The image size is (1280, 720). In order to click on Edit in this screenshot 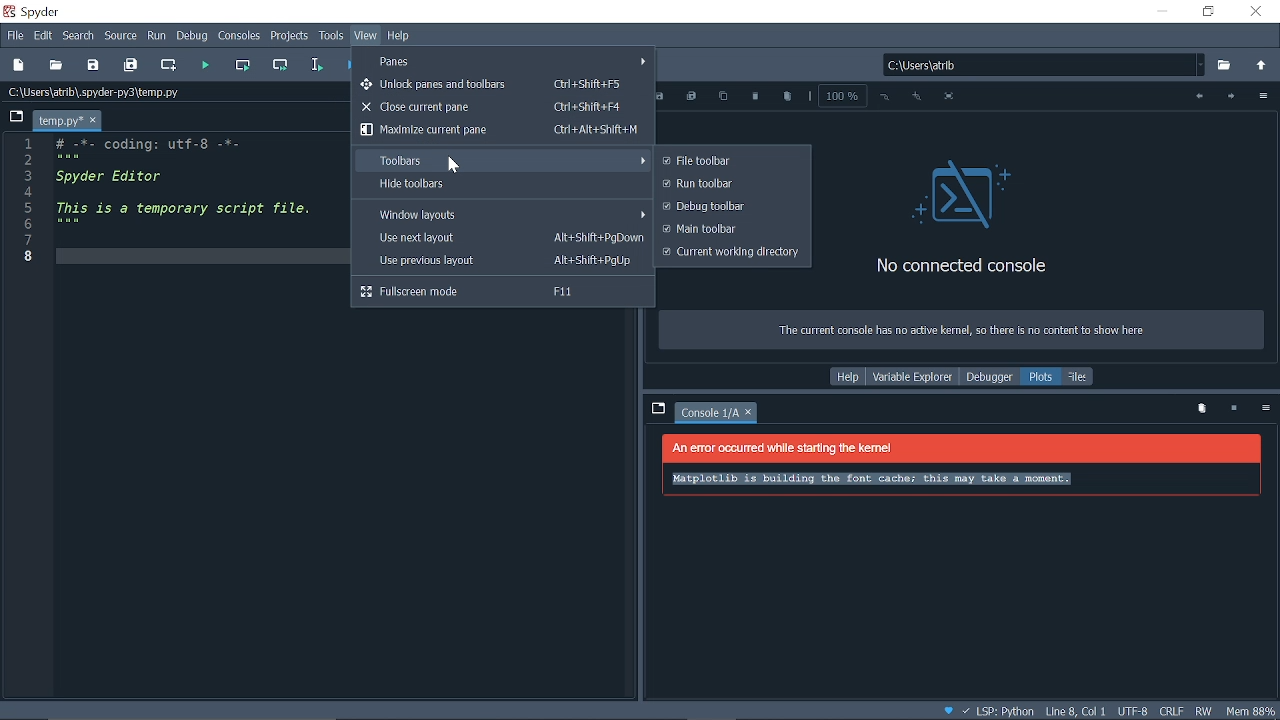, I will do `click(44, 34)`.